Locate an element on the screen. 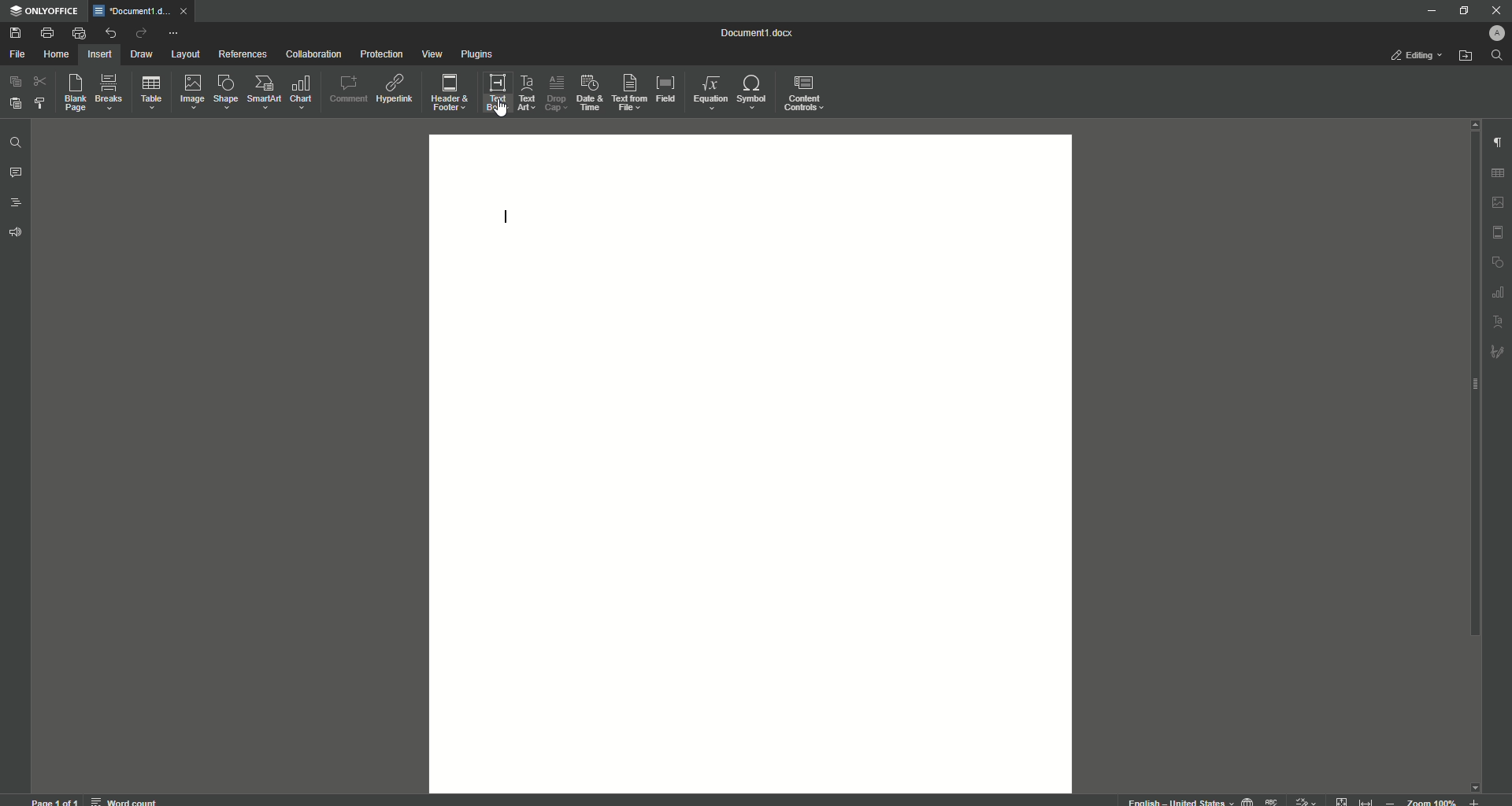 The height and width of the screenshot is (806, 1512). set document language is located at coordinates (1247, 800).